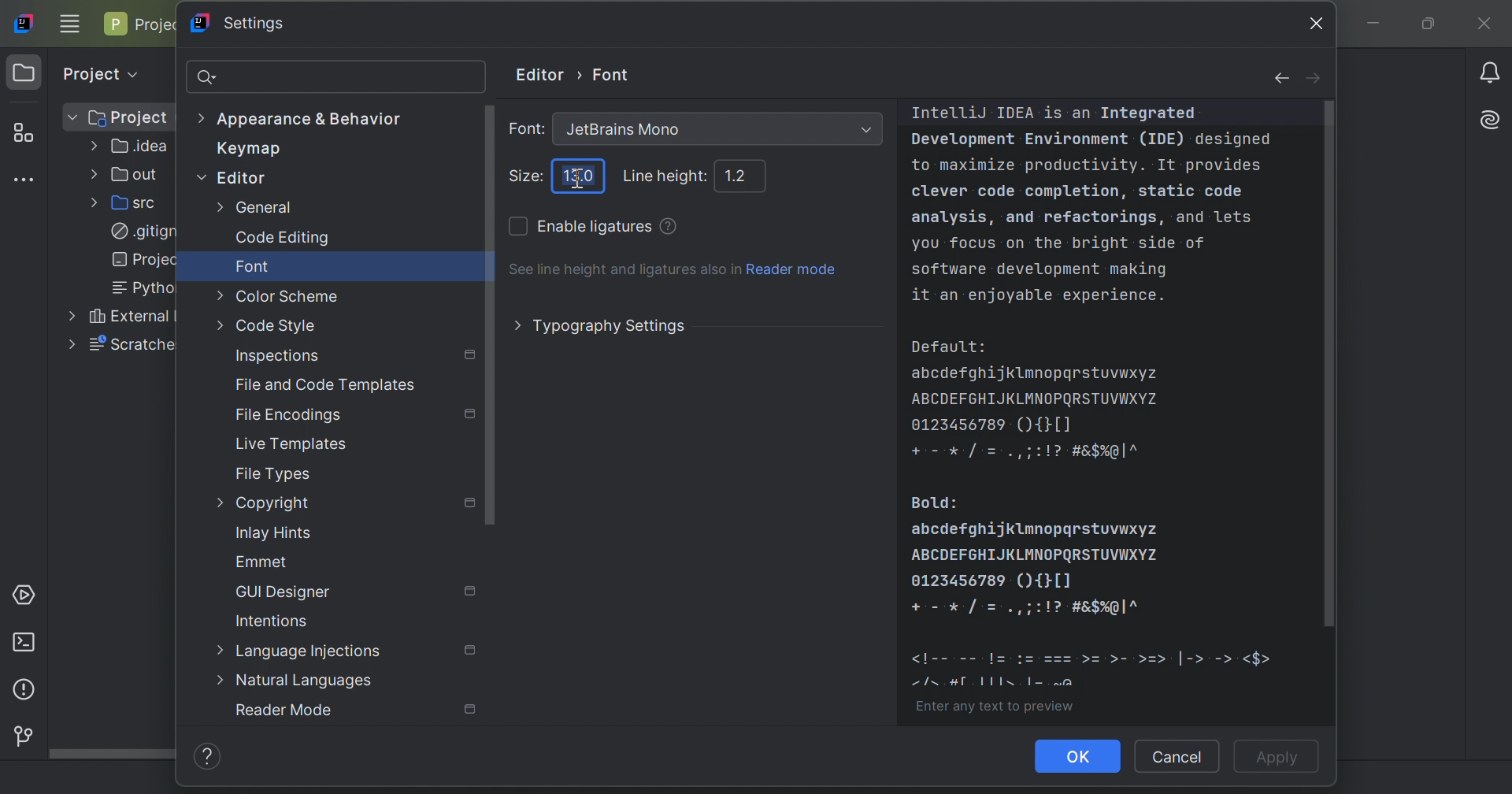 This screenshot has height=794, width=1512. Describe the element at coordinates (145, 232) in the screenshot. I see `.gitign` at that location.